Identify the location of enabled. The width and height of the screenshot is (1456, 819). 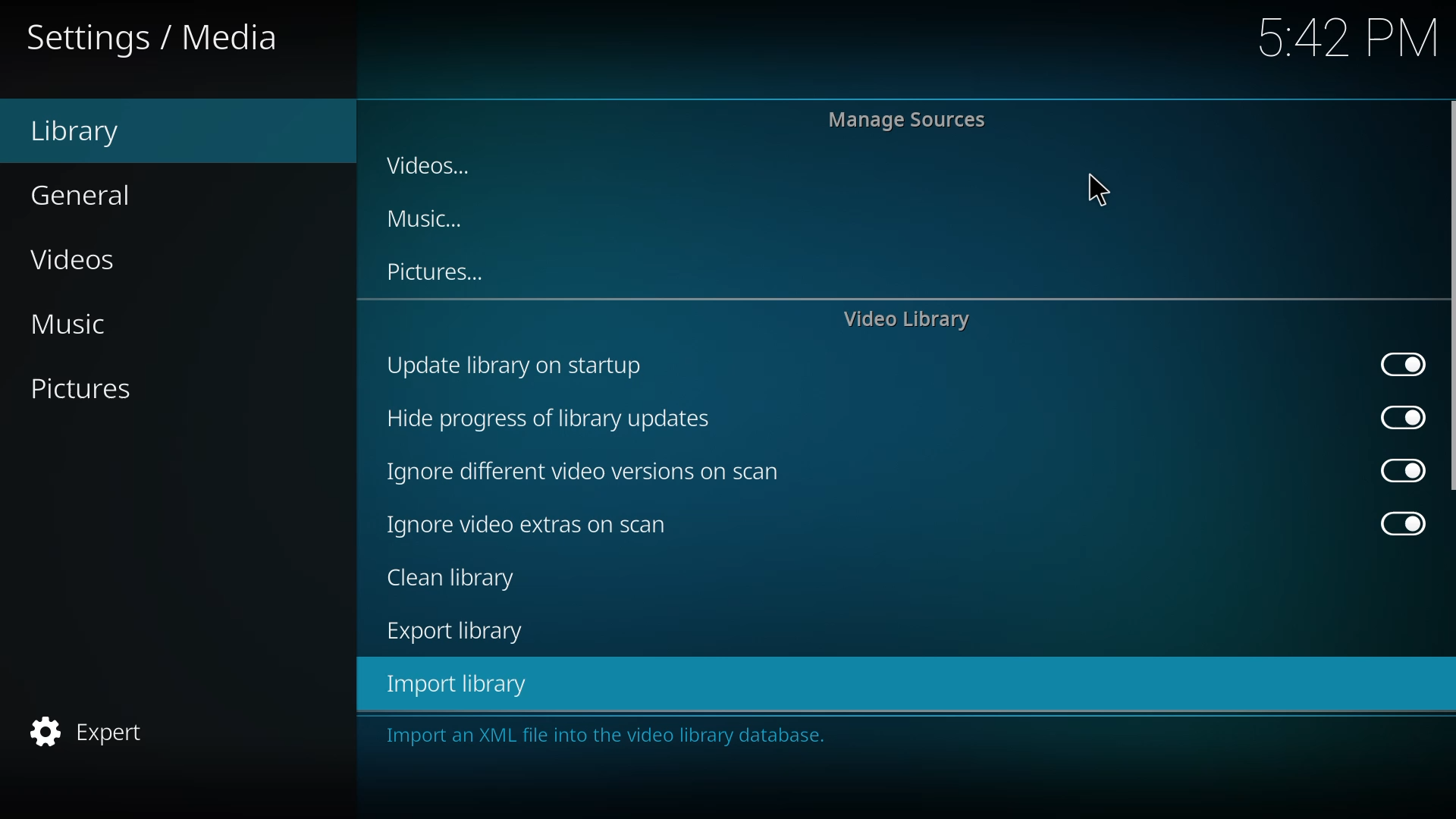
(1406, 472).